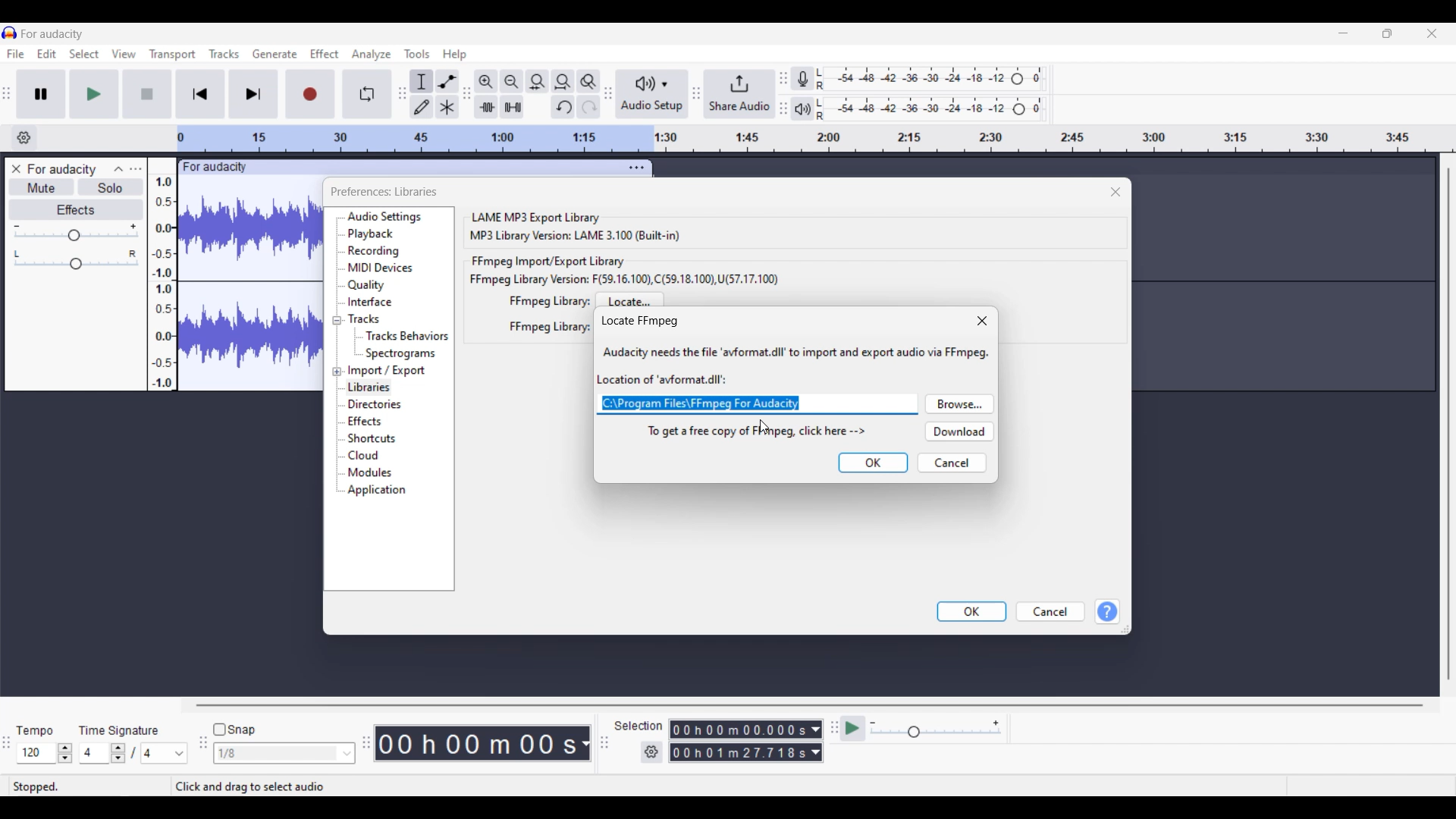  Describe the element at coordinates (816, 742) in the screenshot. I see `Duration measurement` at that location.